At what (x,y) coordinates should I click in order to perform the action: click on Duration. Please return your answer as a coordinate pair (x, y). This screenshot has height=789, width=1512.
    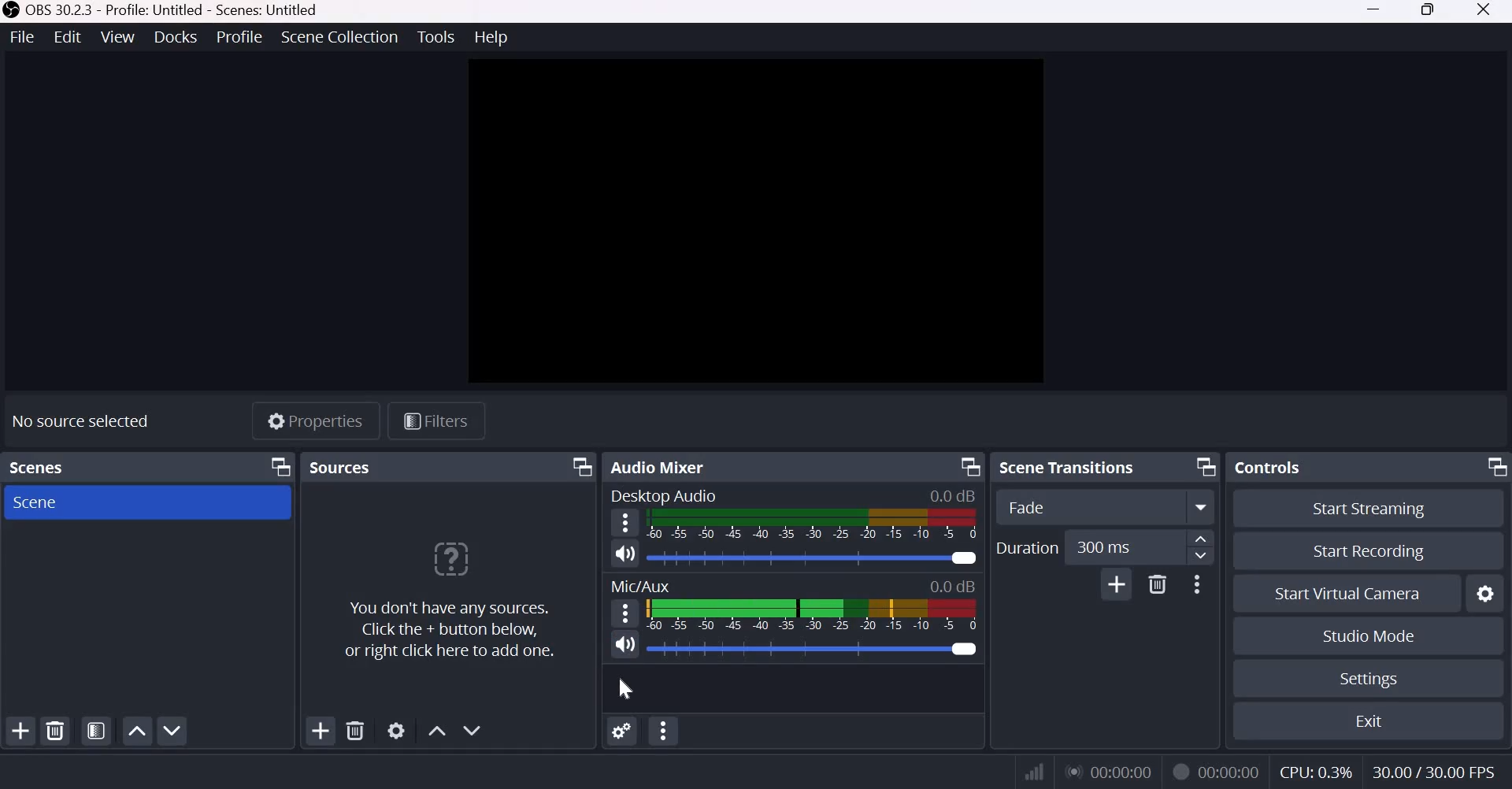
    Looking at the image, I should click on (1027, 547).